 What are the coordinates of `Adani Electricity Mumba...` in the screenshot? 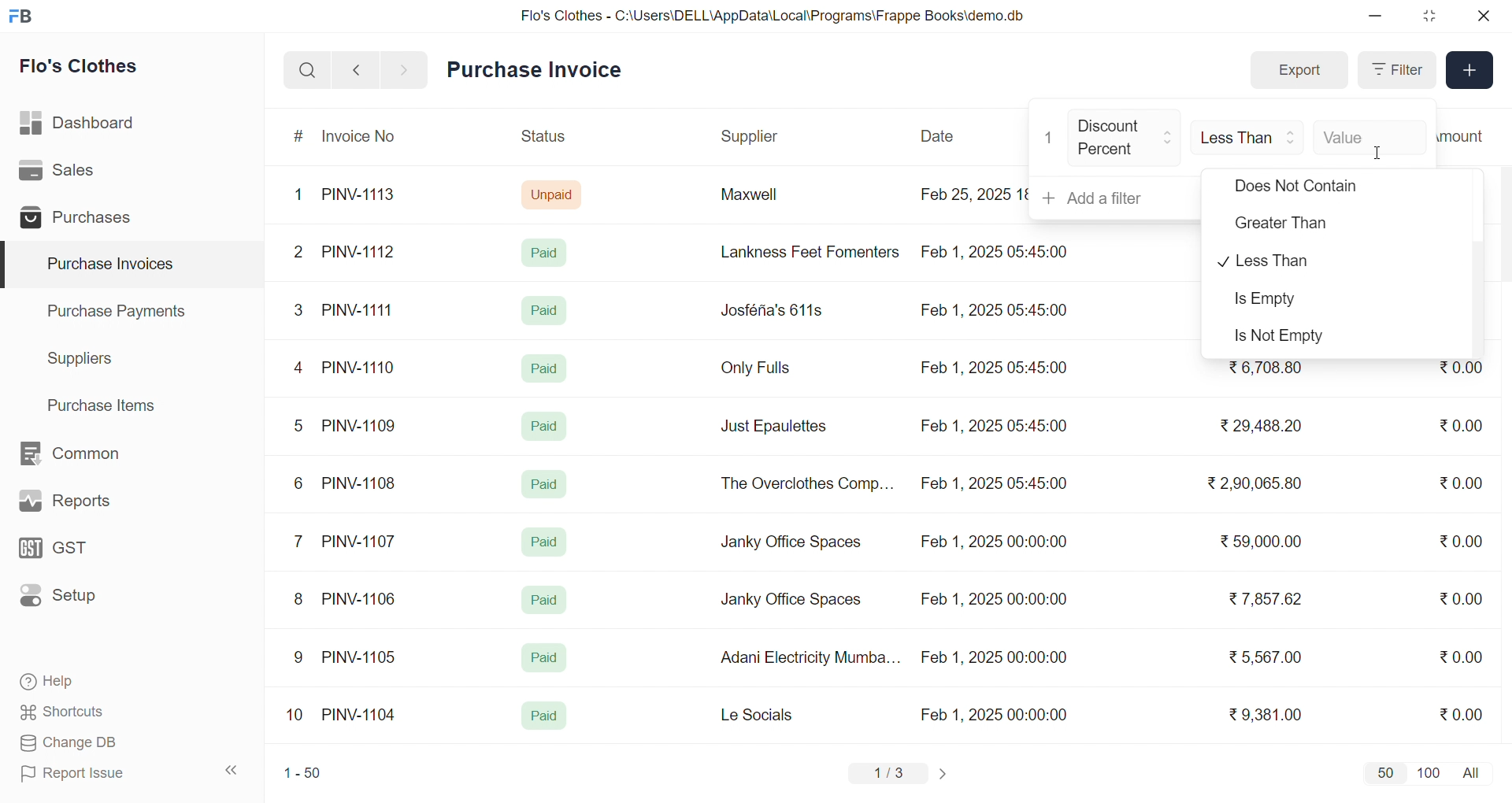 It's located at (812, 658).